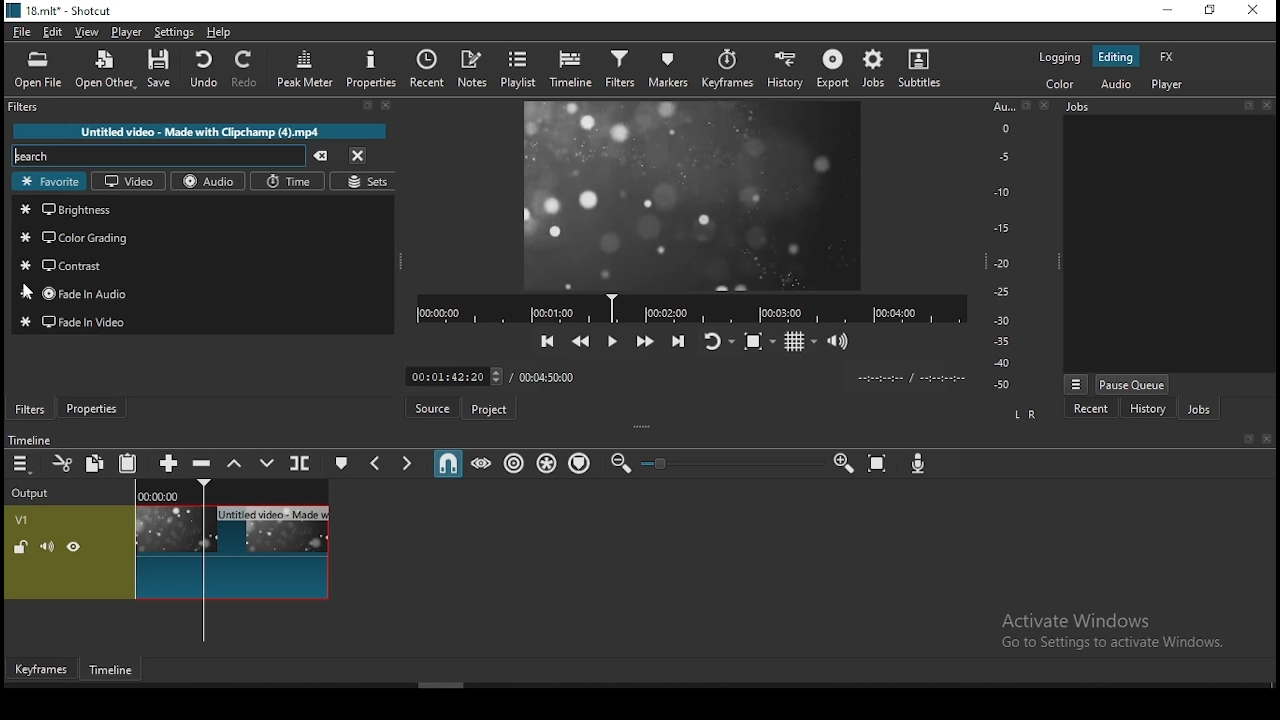 This screenshot has height=720, width=1280. What do you see at coordinates (1118, 85) in the screenshot?
I see `audio` at bounding box center [1118, 85].